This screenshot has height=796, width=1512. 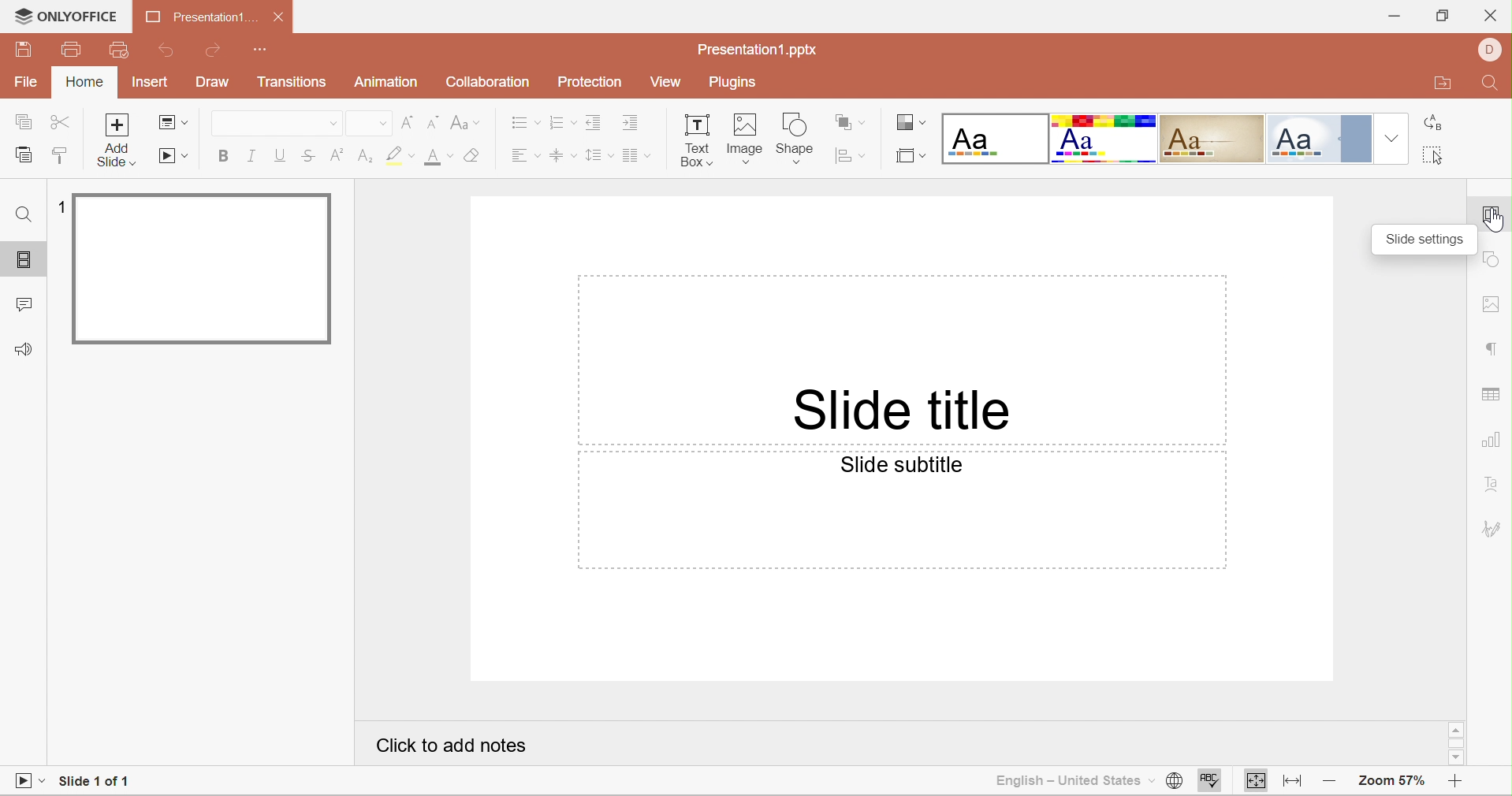 What do you see at coordinates (631, 124) in the screenshot?
I see `Increase Indent` at bounding box center [631, 124].